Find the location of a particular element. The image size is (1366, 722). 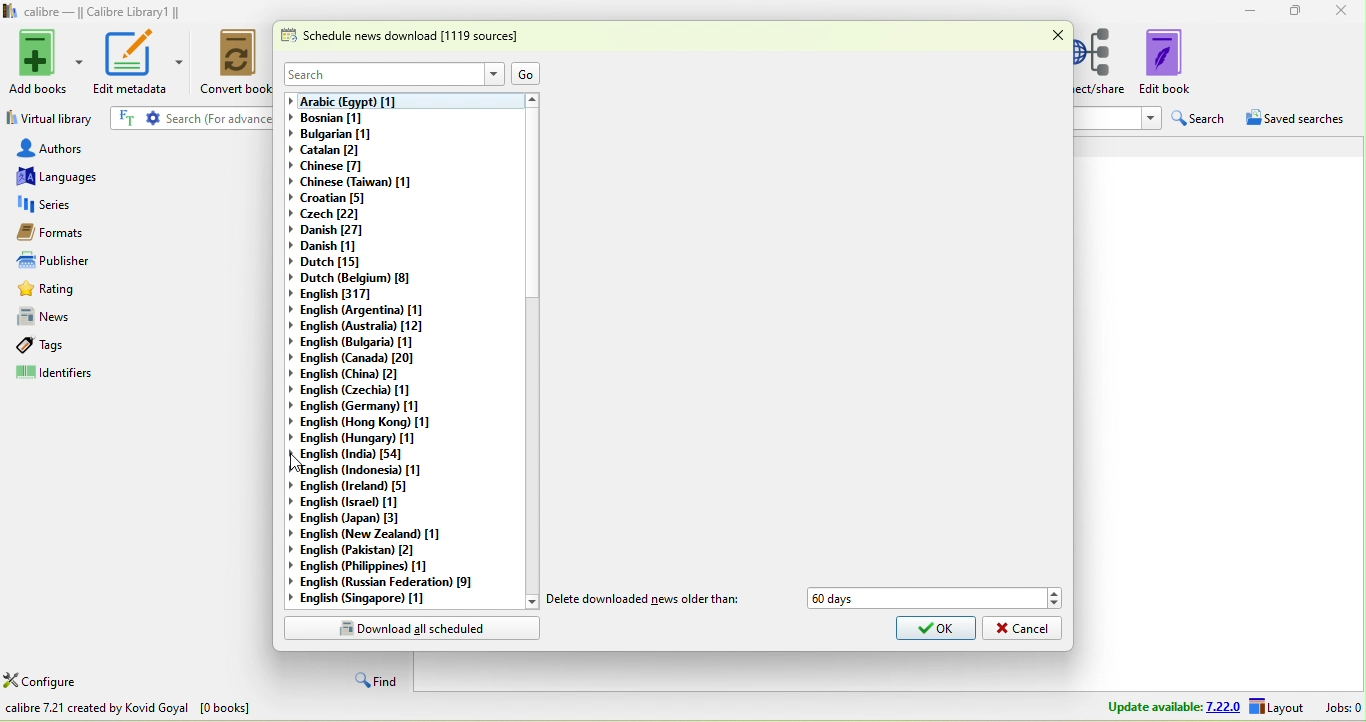

layout is located at coordinates (1278, 705).